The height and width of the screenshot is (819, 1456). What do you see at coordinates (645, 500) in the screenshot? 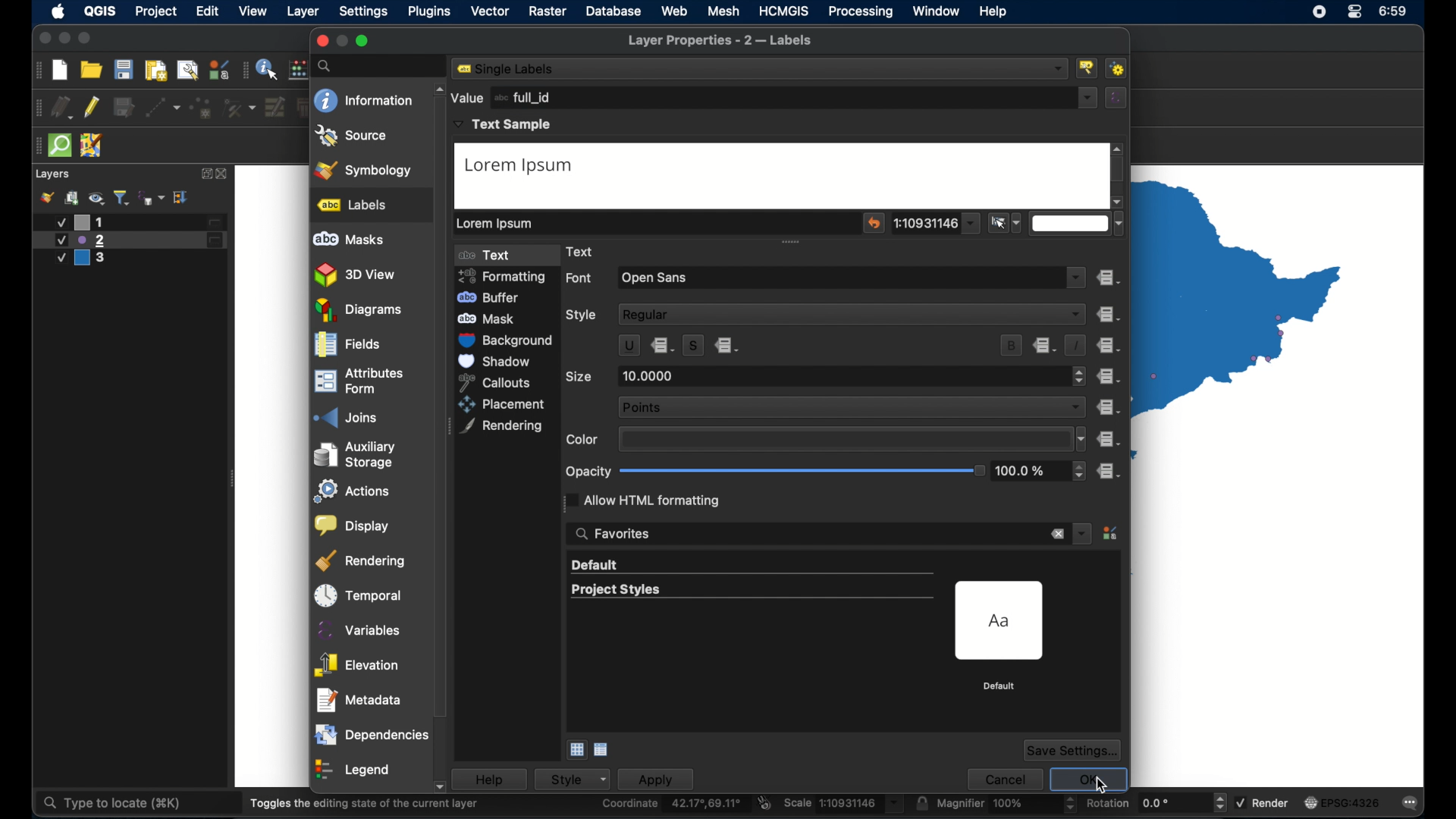
I see `allow html formatting` at bounding box center [645, 500].